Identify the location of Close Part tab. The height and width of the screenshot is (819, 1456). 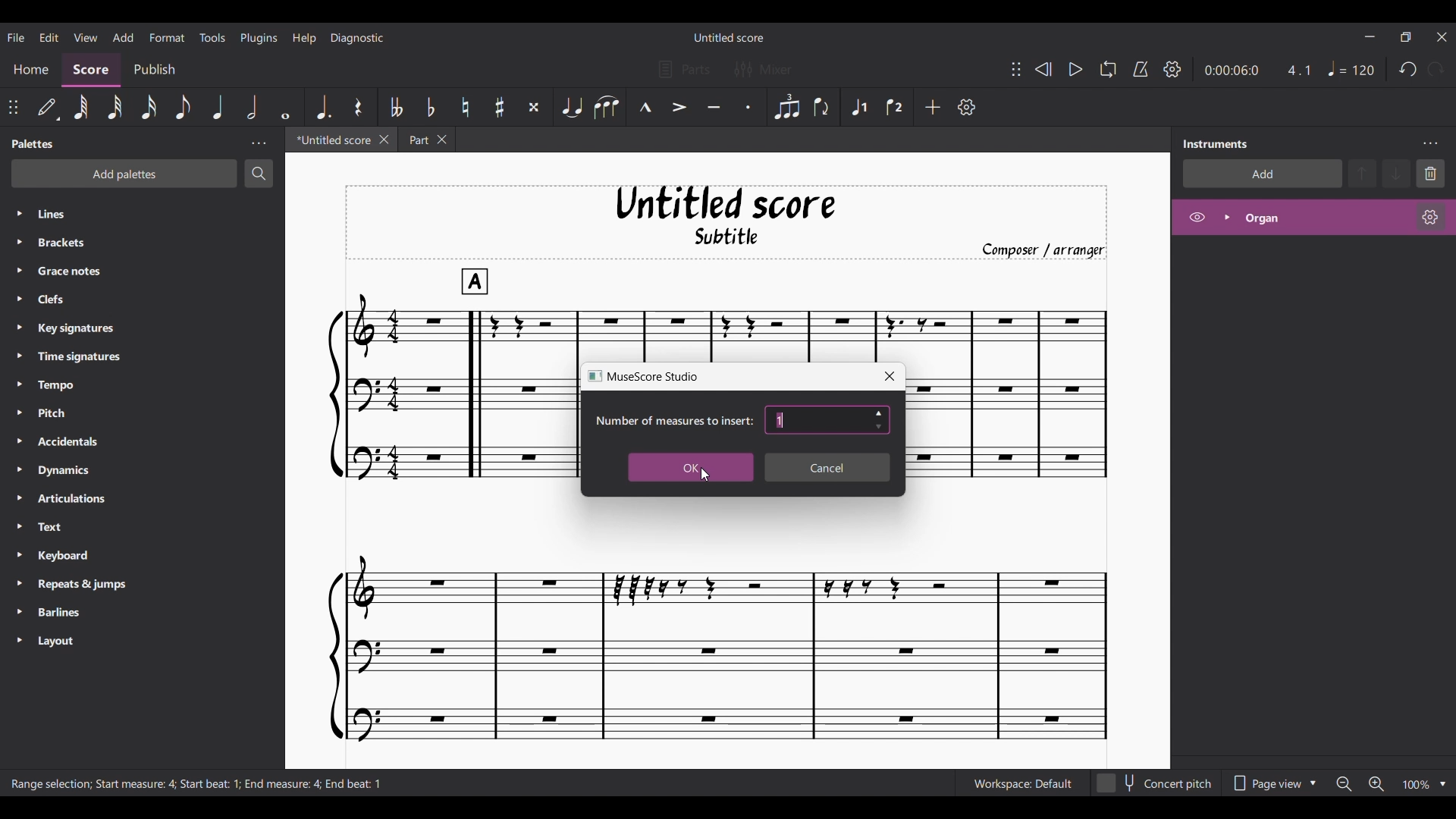
(442, 140).